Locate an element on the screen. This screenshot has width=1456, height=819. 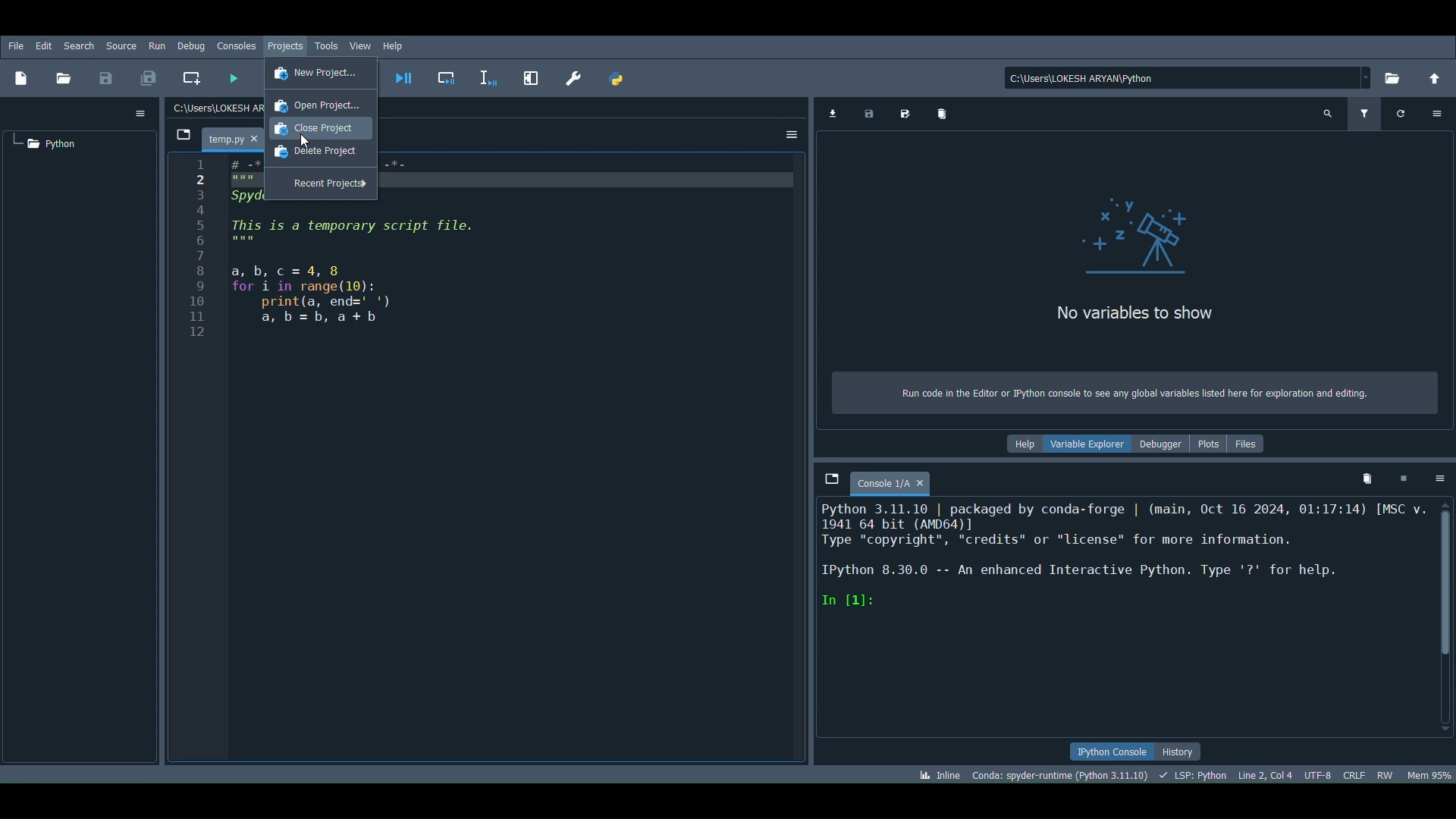
Options is located at coordinates (140, 111).